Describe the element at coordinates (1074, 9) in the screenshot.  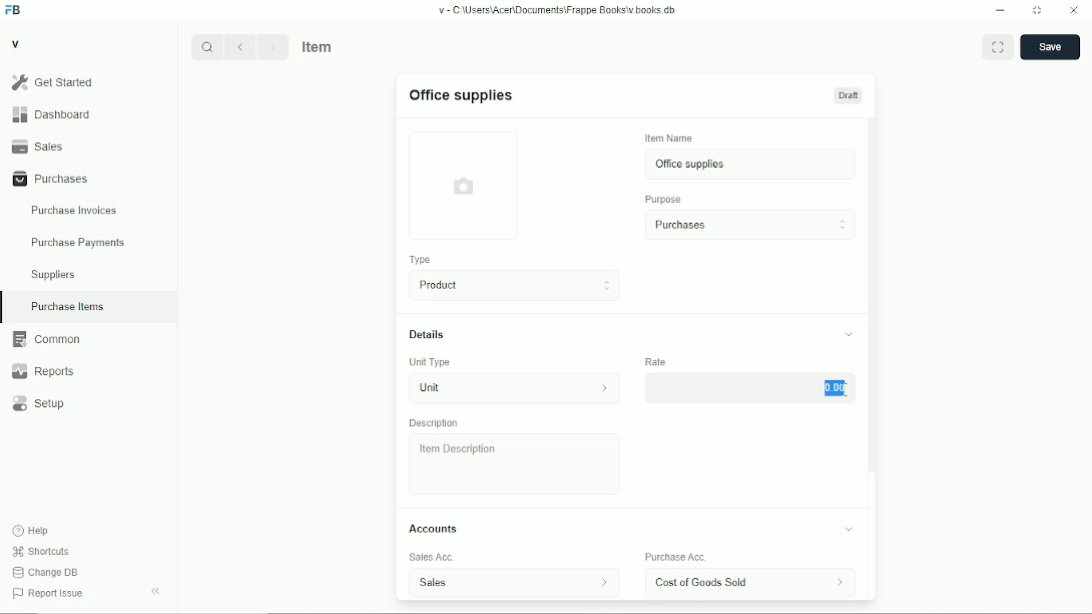
I see `Close` at that location.